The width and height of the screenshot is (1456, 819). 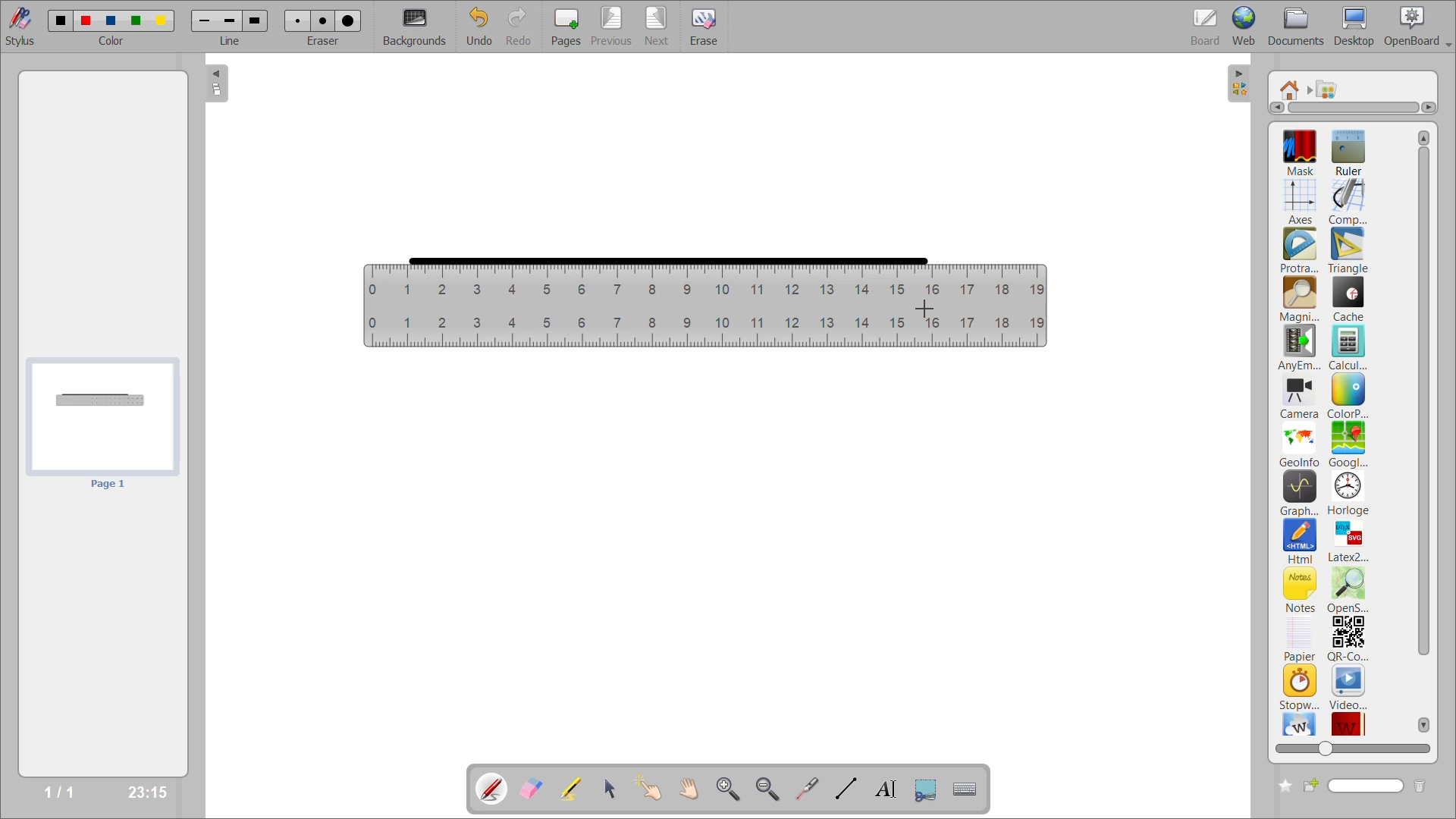 What do you see at coordinates (64, 792) in the screenshot?
I see `1/1` at bounding box center [64, 792].